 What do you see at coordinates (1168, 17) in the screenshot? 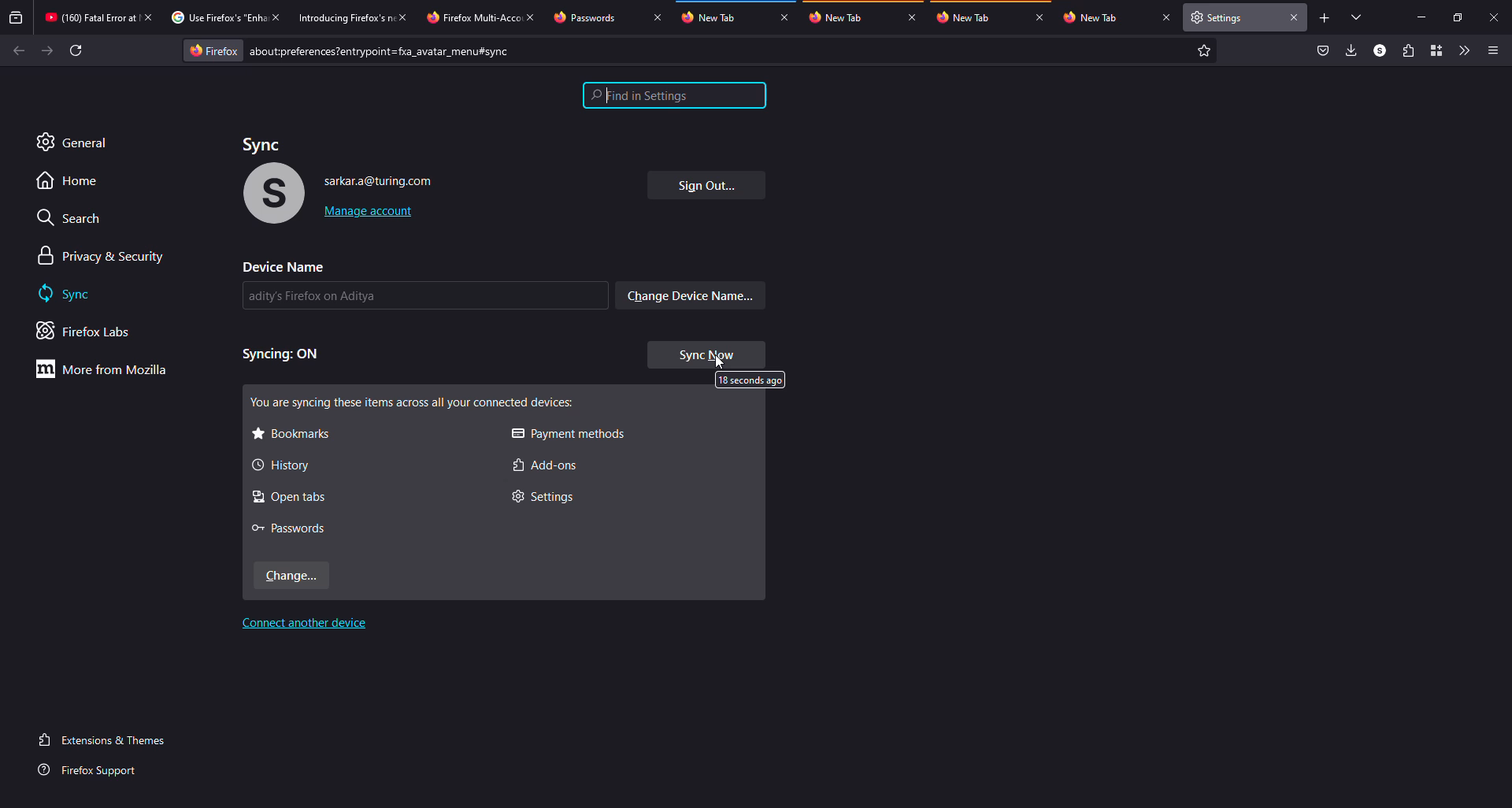
I see `close` at bounding box center [1168, 17].